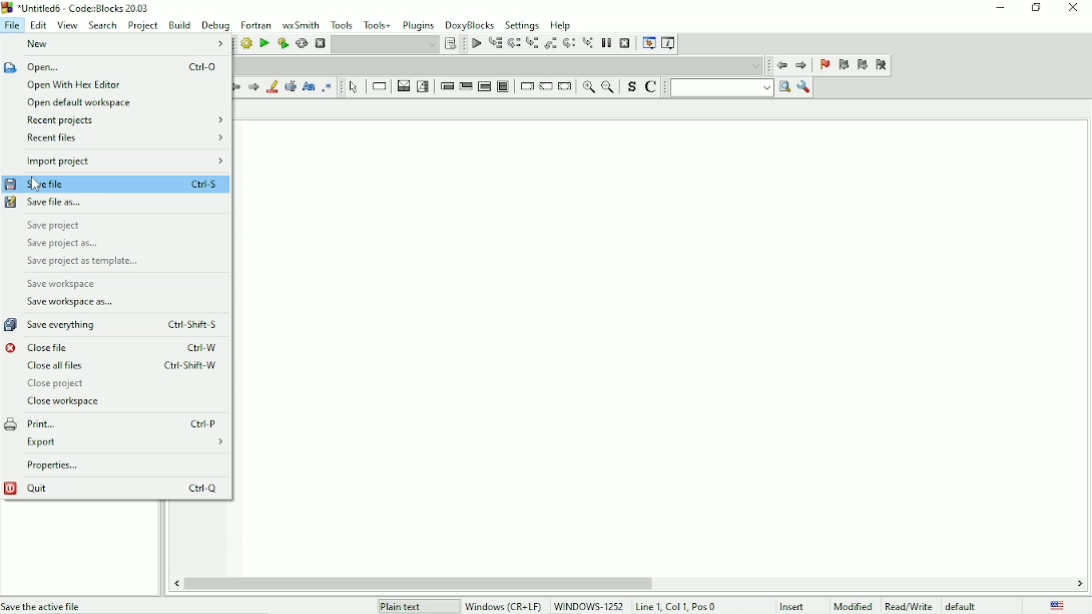  I want to click on Restore down, so click(1037, 8).